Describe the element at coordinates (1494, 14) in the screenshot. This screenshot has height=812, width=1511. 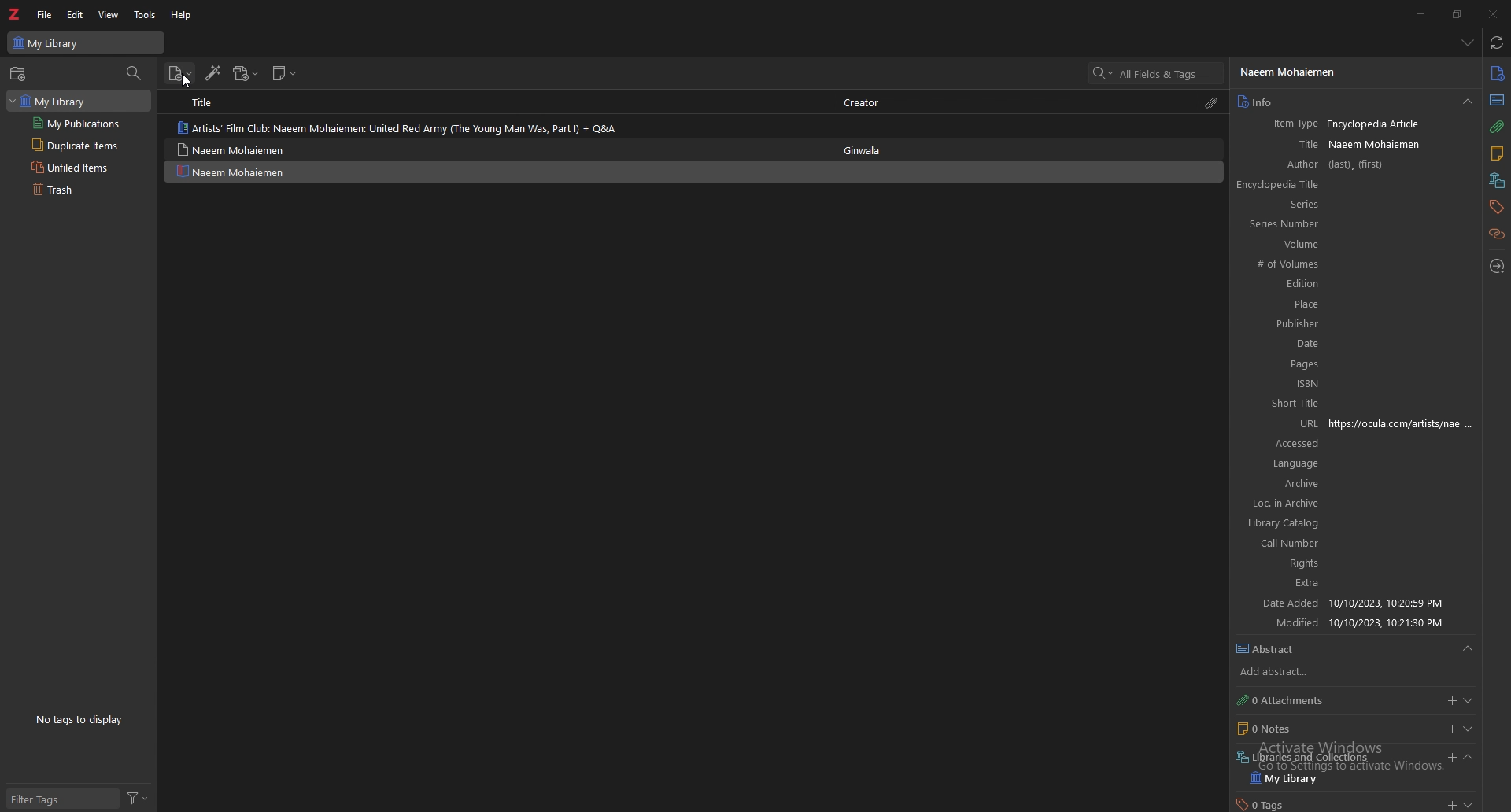
I see `close` at that location.